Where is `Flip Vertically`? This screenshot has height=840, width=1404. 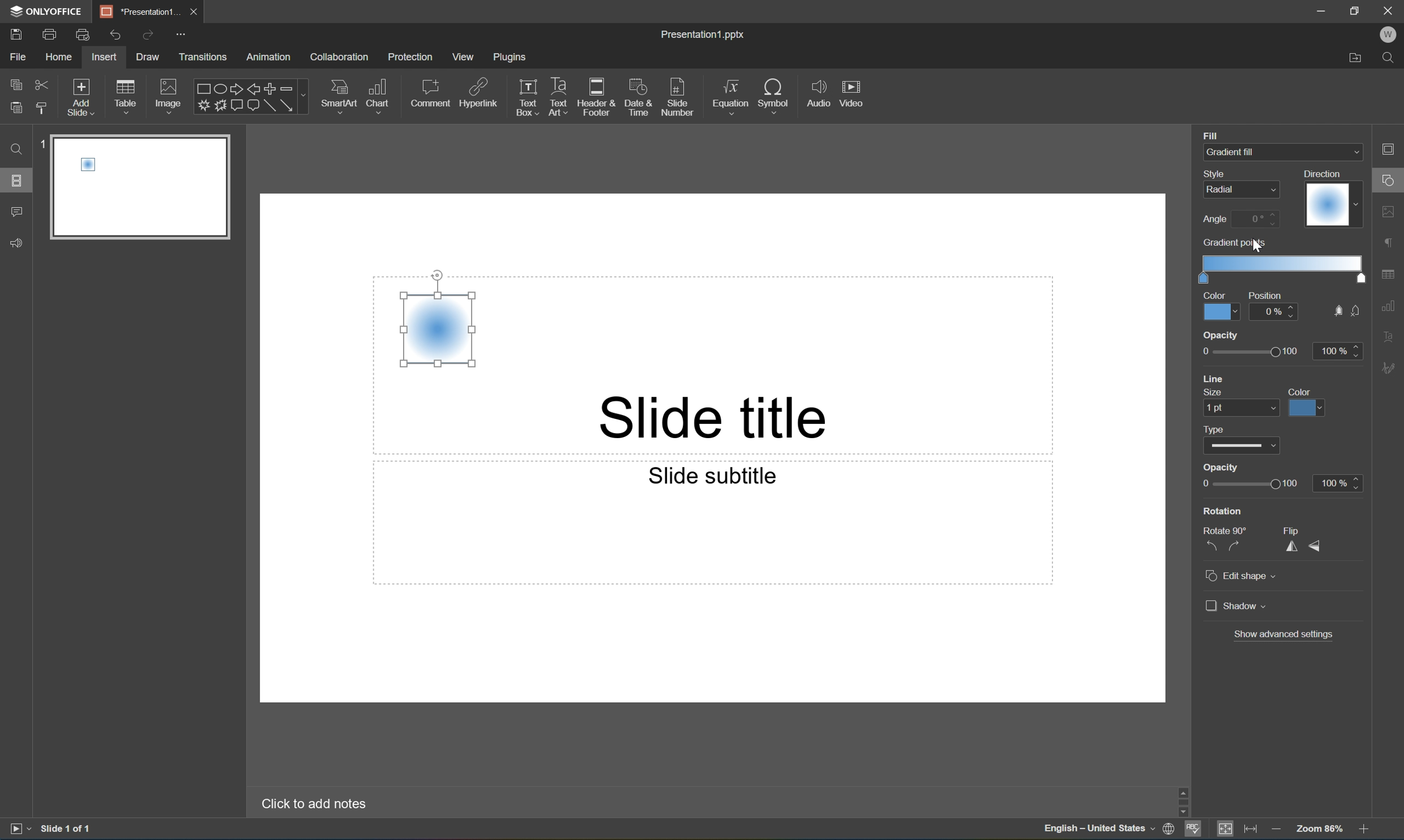
Flip Vertically is located at coordinates (1316, 546).